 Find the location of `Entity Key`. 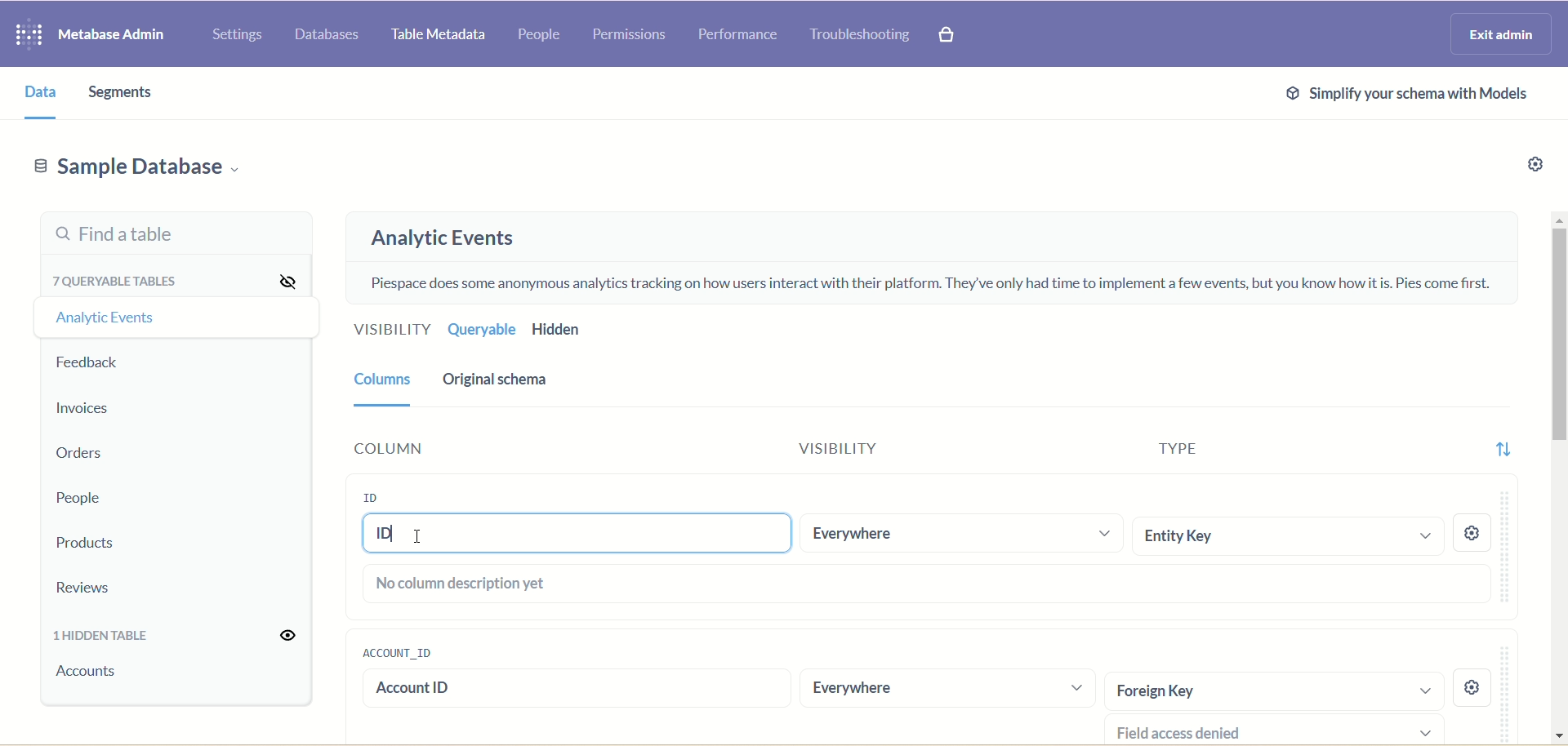

Entity Key is located at coordinates (1287, 537).